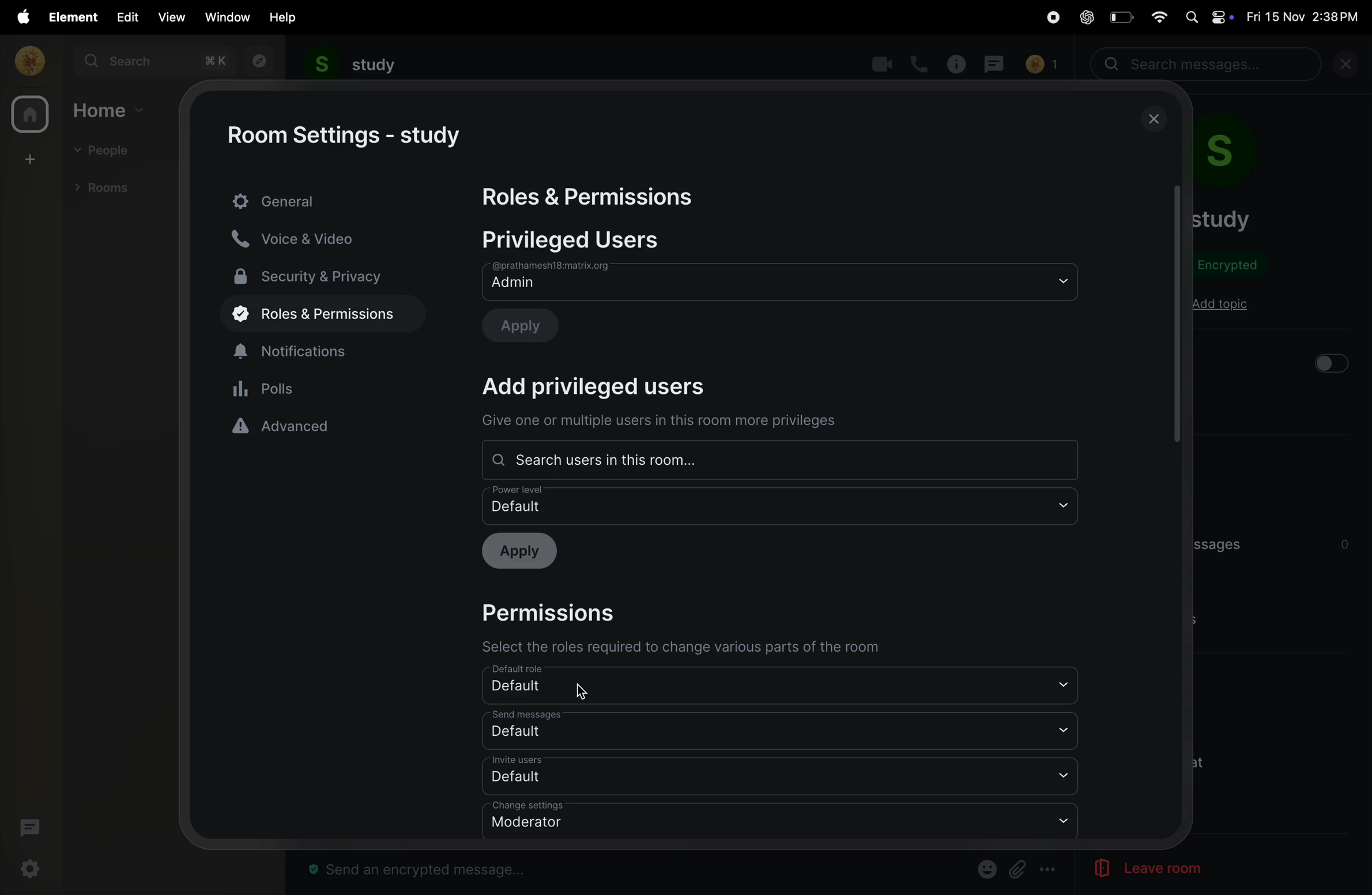 Image resolution: width=1372 pixels, height=895 pixels. Describe the element at coordinates (352, 65) in the screenshot. I see `room name` at that location.